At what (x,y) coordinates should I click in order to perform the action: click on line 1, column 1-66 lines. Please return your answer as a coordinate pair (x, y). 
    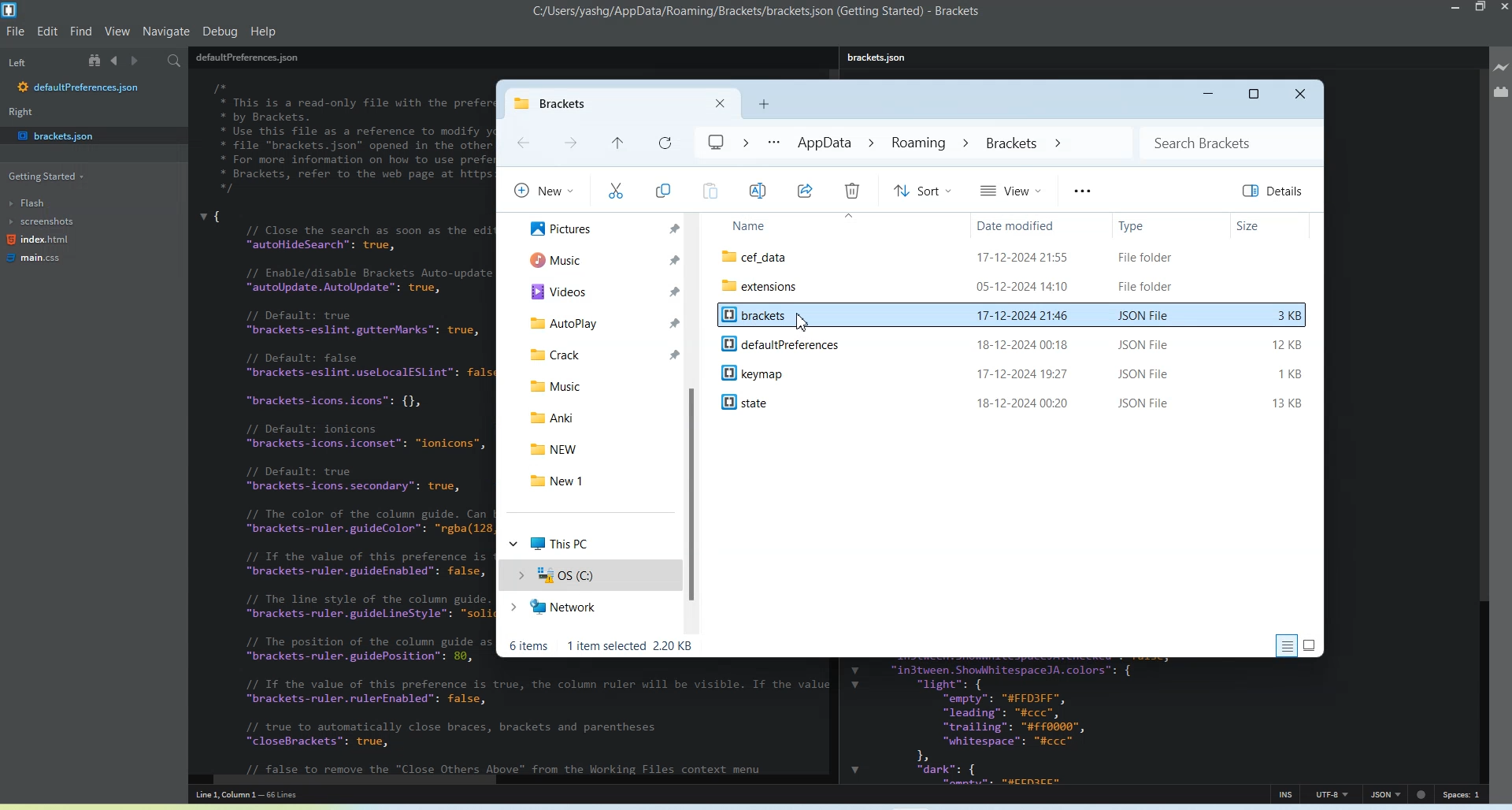
    Looking at the image, I should click on (265, 796).